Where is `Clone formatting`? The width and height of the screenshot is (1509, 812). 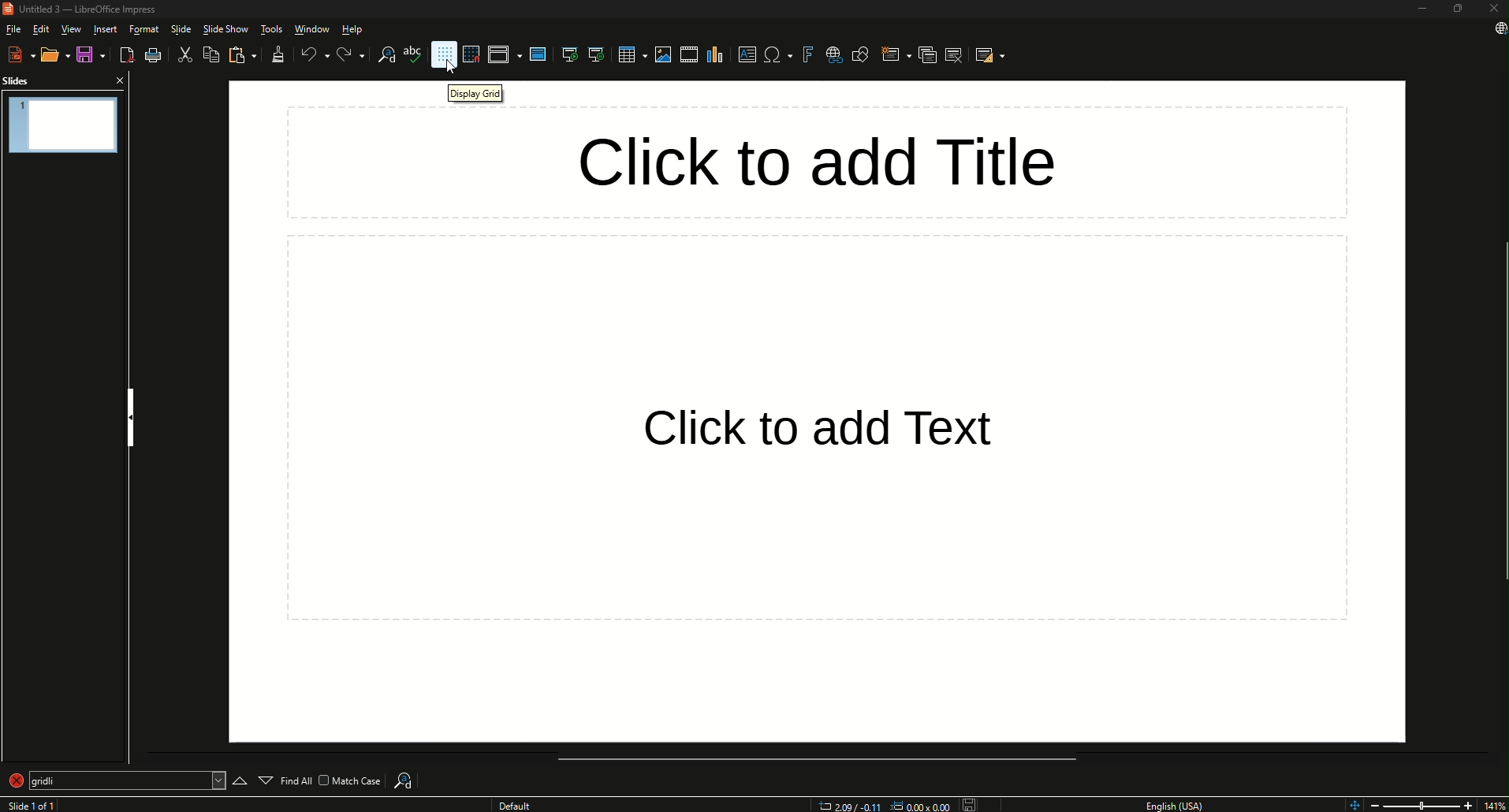
Clone formatting is located at coordinates (279, 54).